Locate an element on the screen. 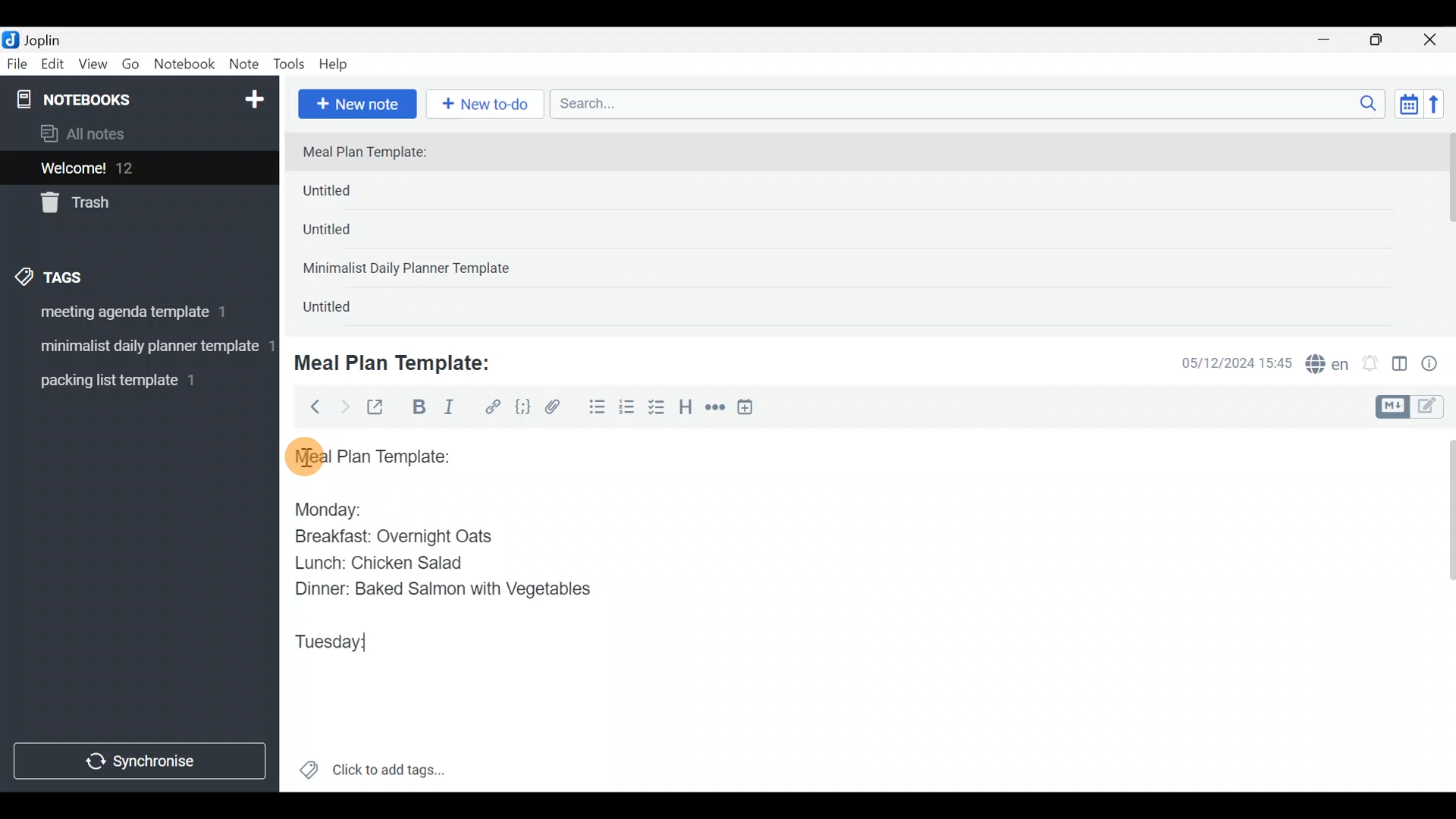 The width and height of the screenshot is (1456, 819). Hyperlink is located at coordinates (493, 407).